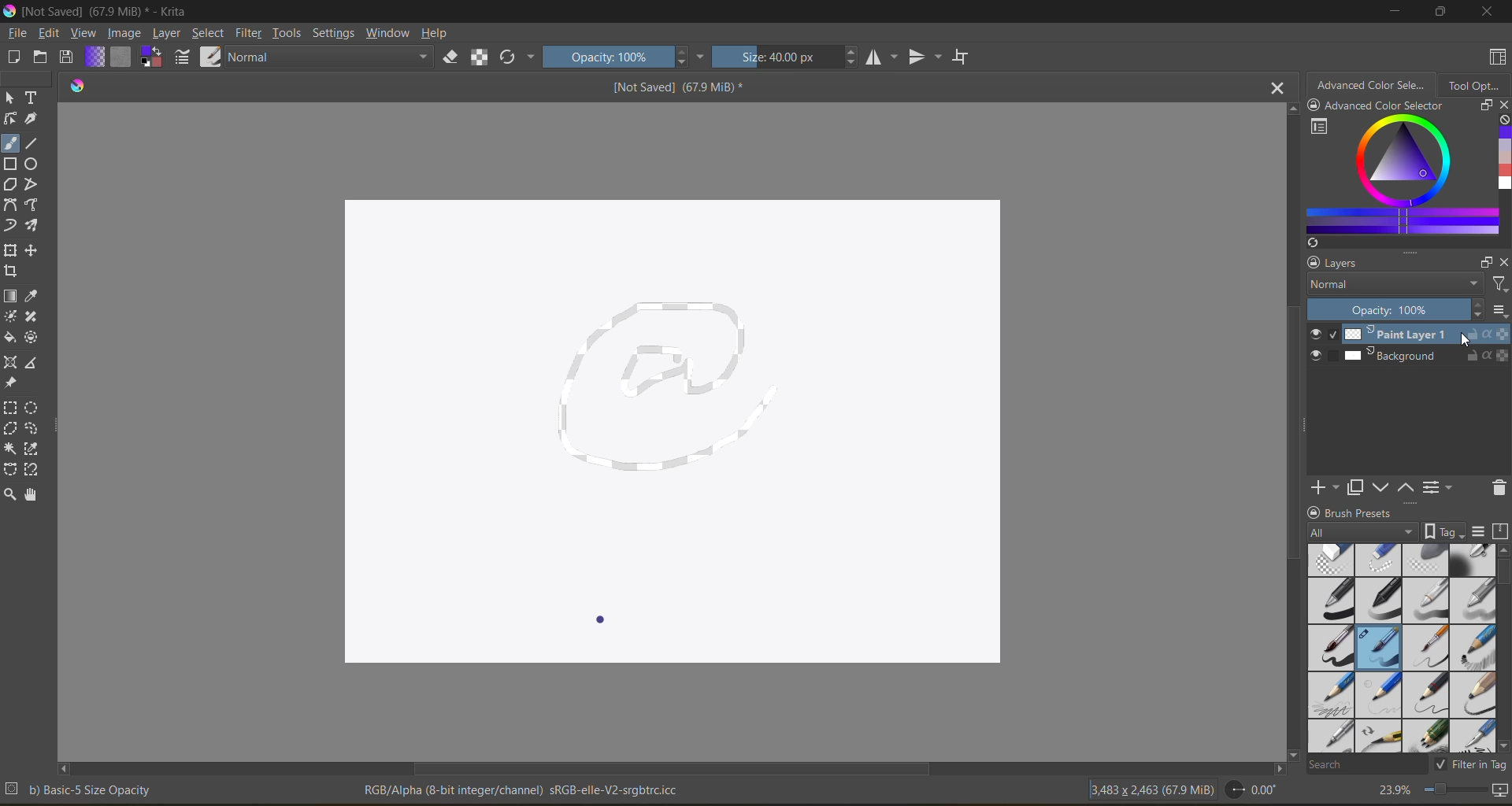 This screenshot has width=1512, height=806. I want to click on cursor, so click(1469, 338).